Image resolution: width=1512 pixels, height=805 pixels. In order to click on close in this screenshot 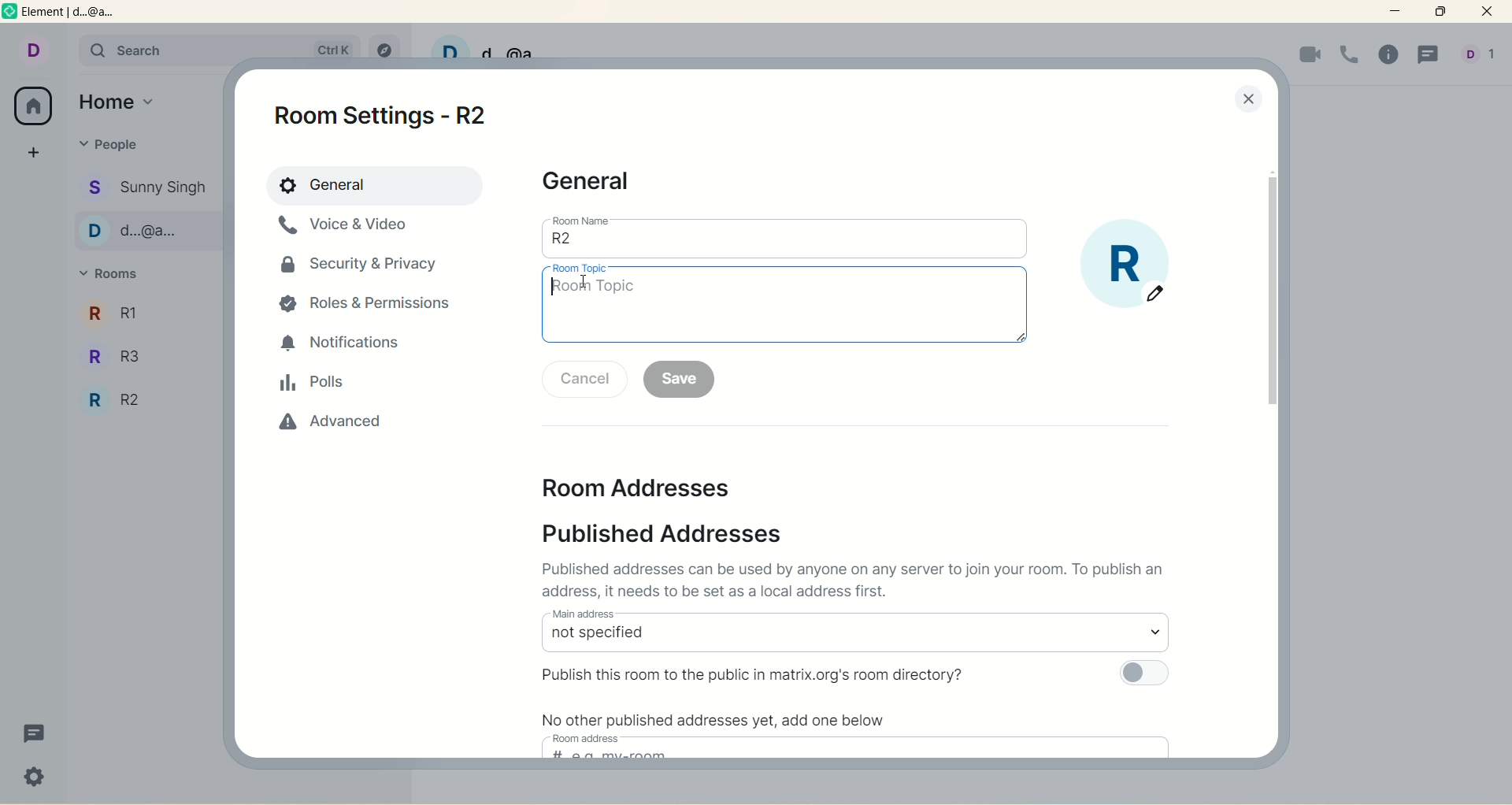, I will do `click(1490, 13)`.